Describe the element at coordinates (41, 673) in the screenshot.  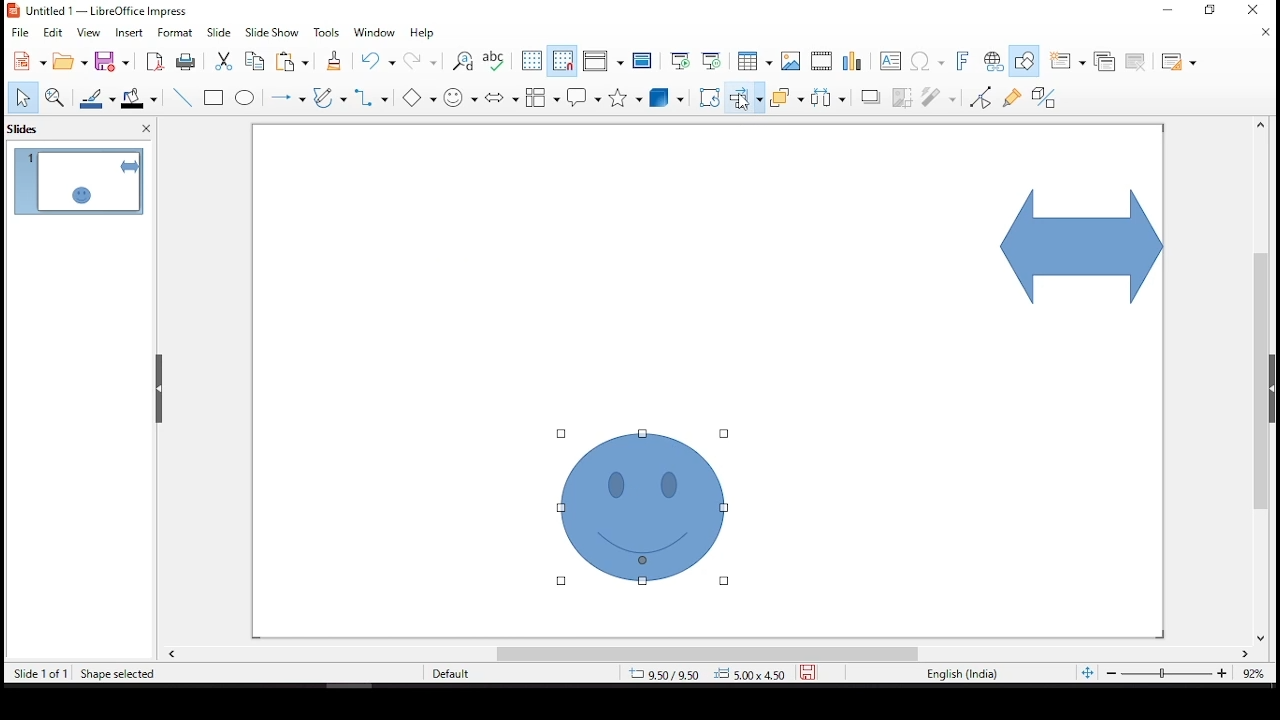
I see `slide 1 of 1` at that location.